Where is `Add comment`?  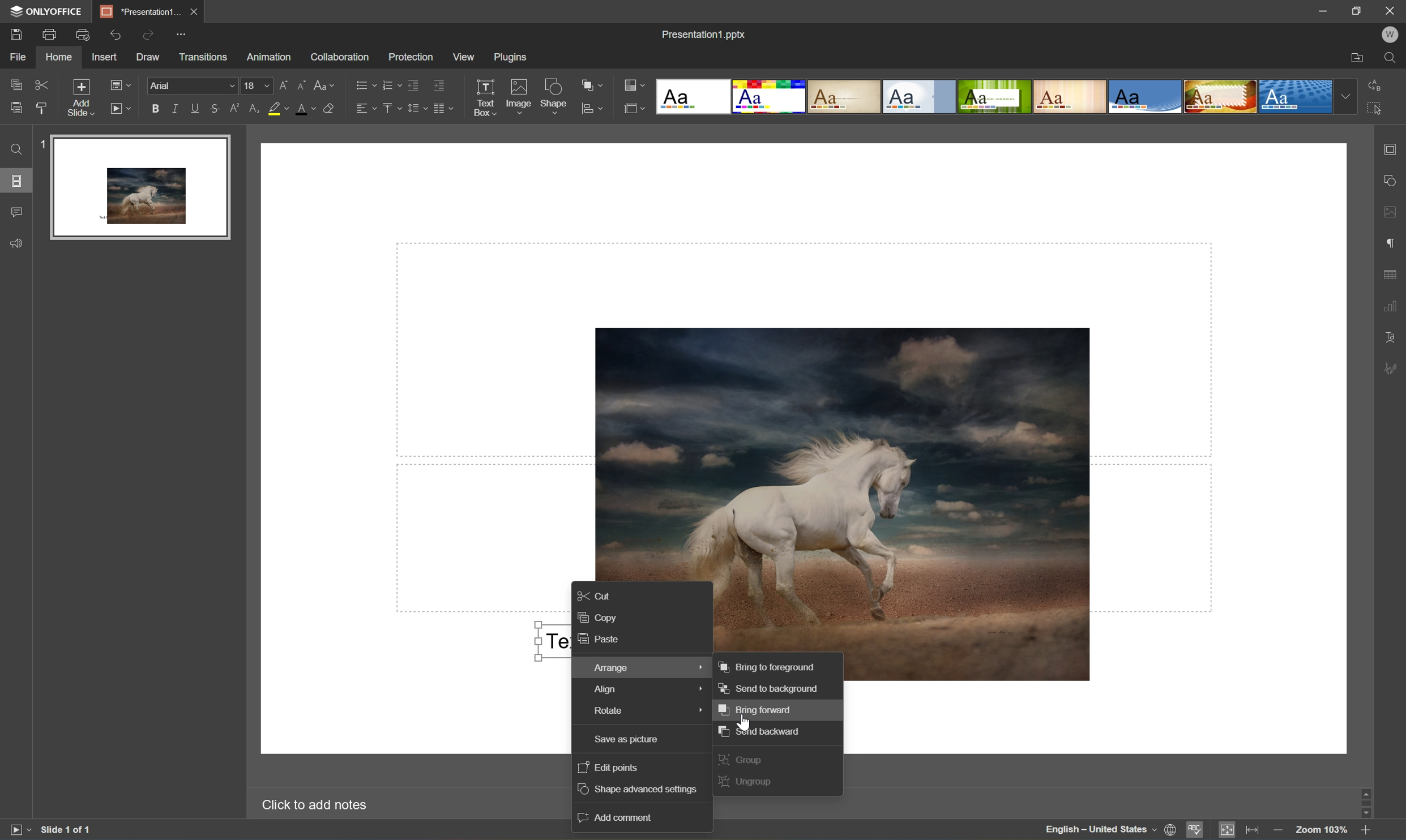
Add comment is located at coordinates (618, 817).